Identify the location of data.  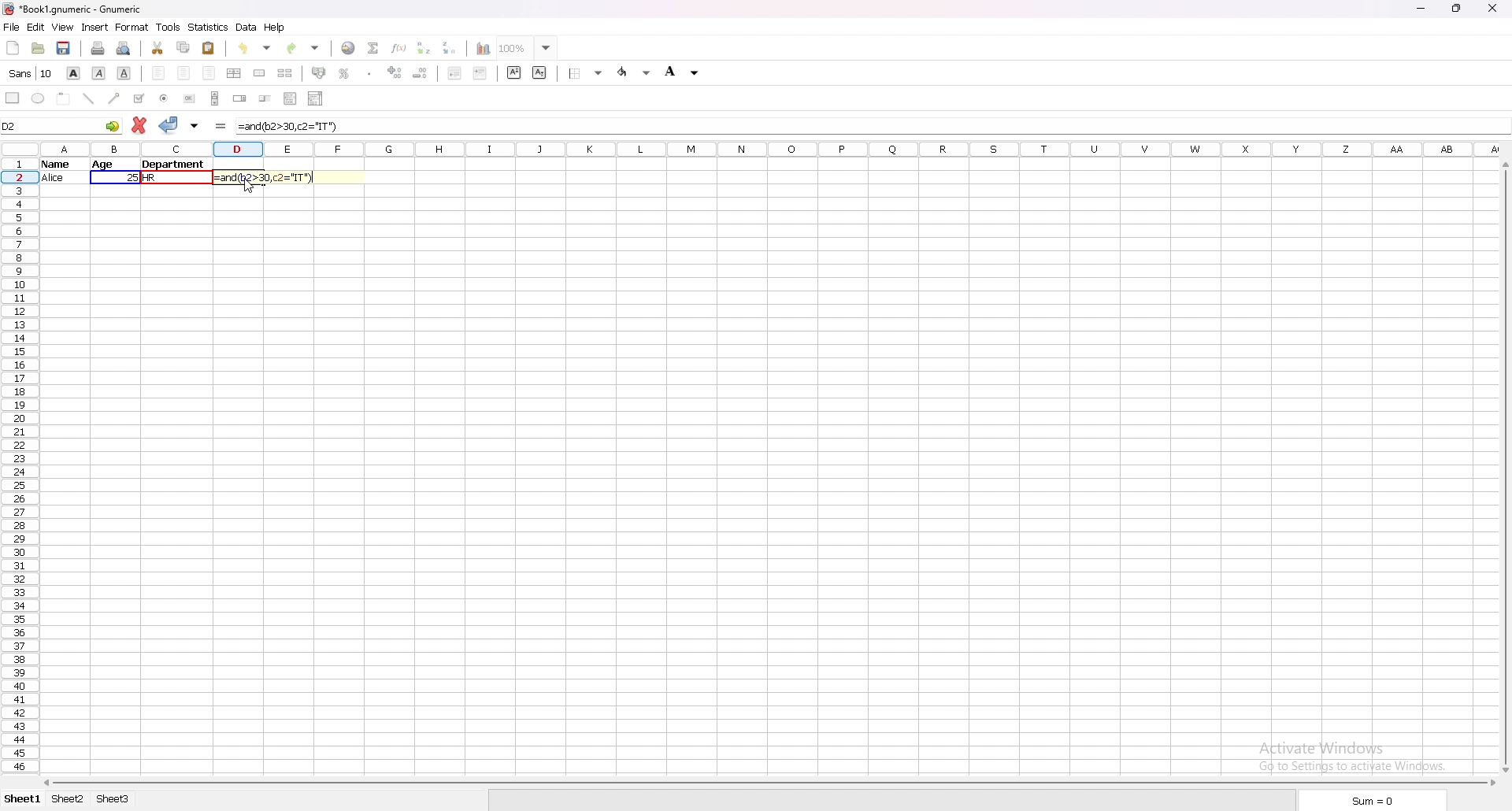
(246, 28).